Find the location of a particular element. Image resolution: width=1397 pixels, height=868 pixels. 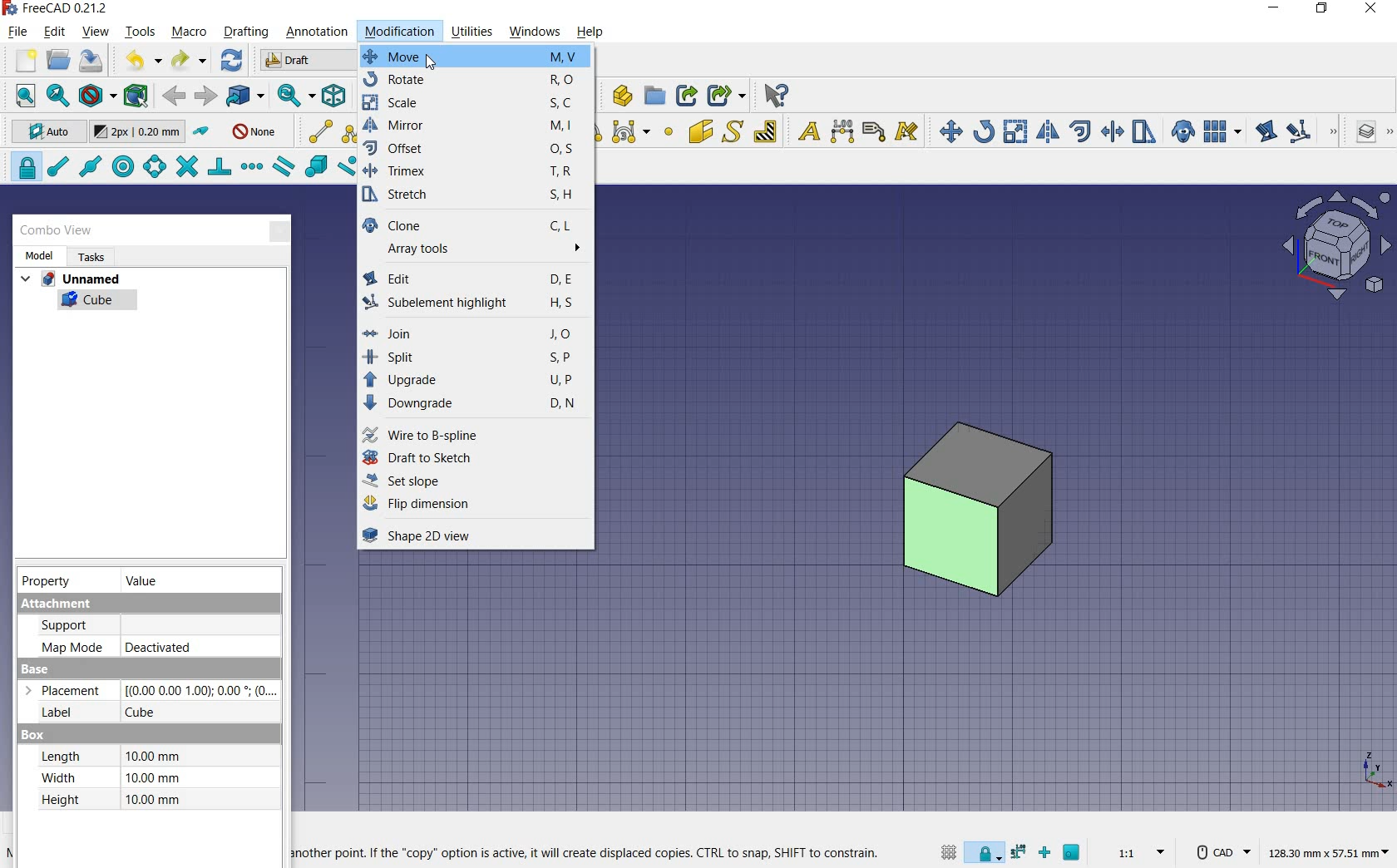

array tools is located at coordinates (1221, 131).